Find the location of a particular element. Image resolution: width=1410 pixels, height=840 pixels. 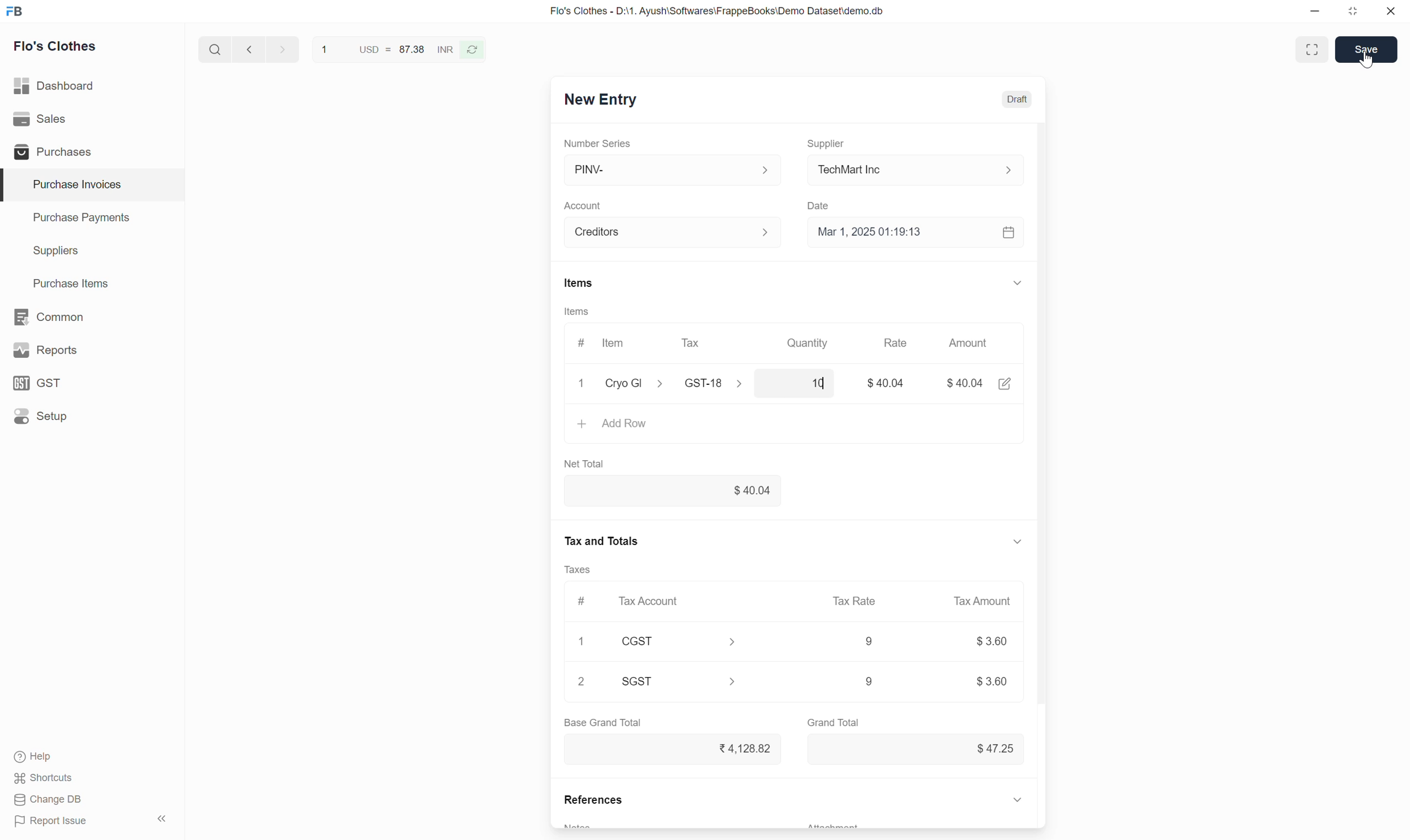

Number Series is located at coordinates (604, 142).